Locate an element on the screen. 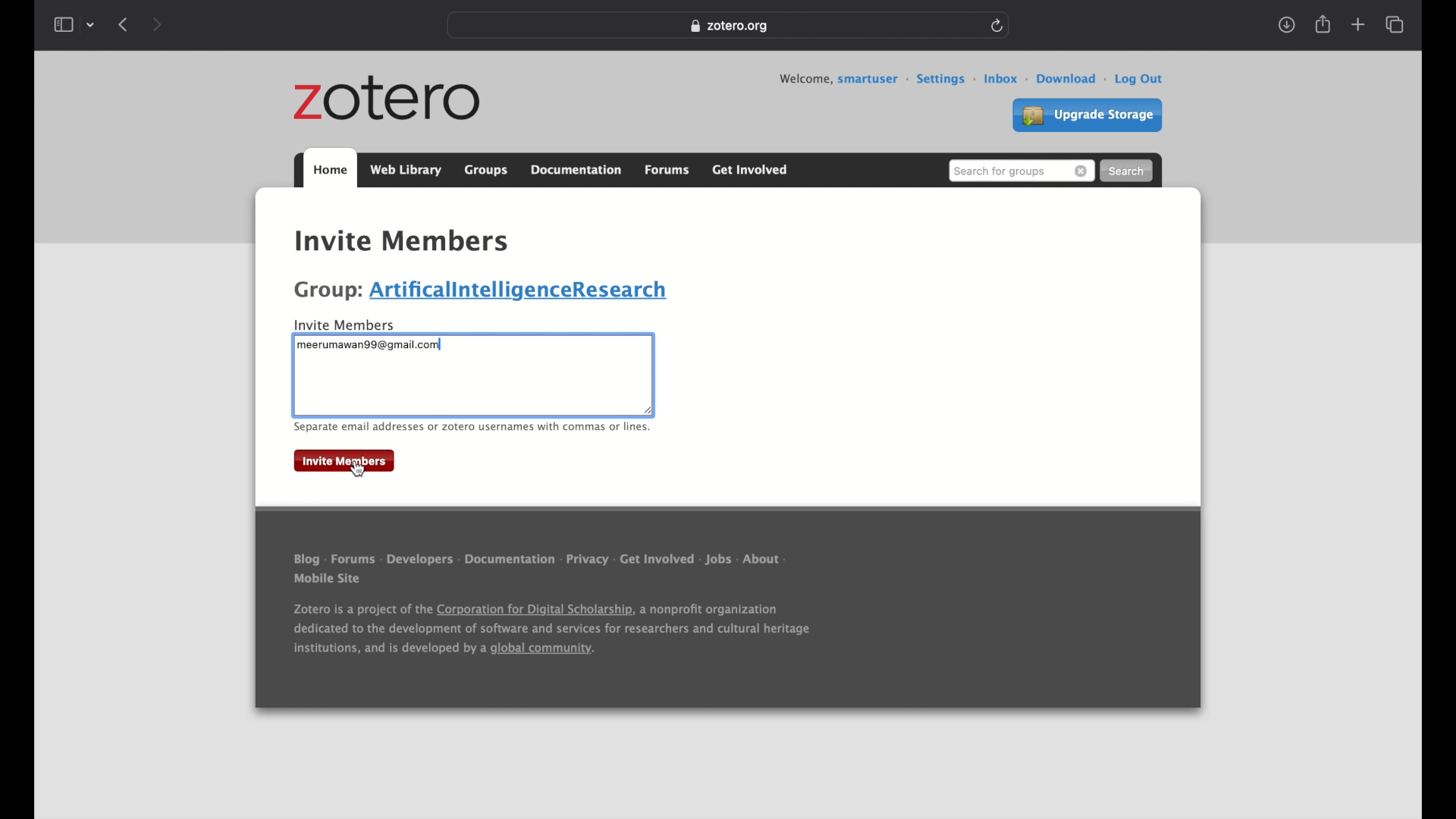 The height and width of the screenshot is (819, 1456). home tab is located at coordinates (330, 169).